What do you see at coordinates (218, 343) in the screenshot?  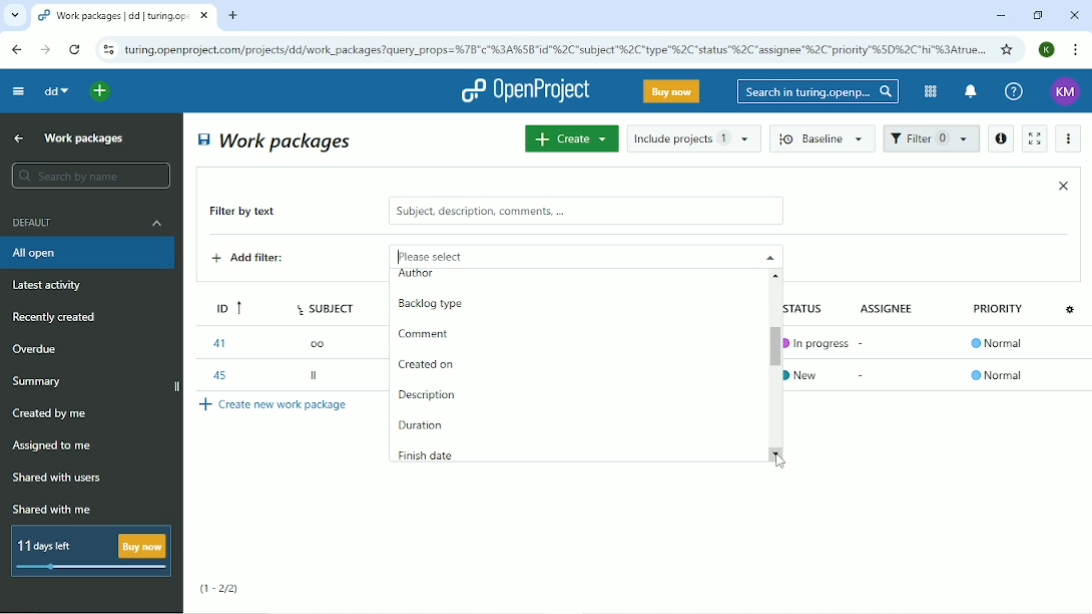 I see `41` at bounding box center [218, 343].